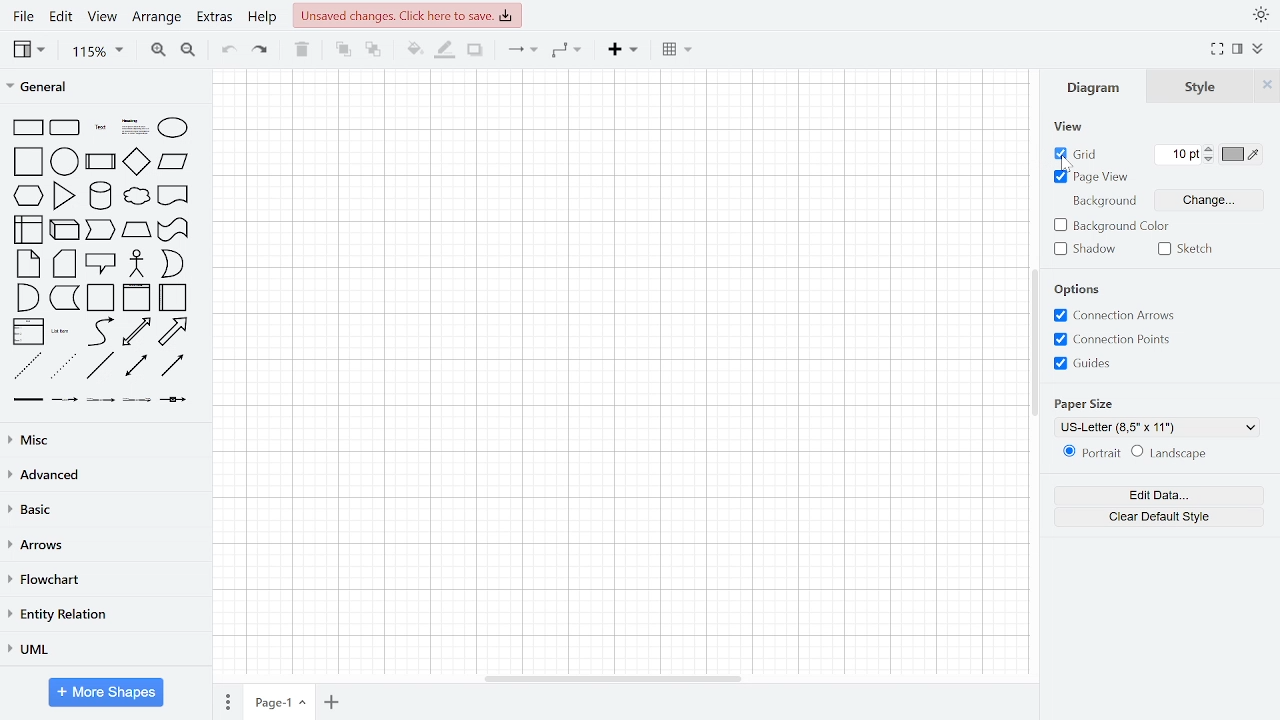  I want to click on triangle, so click(65, 195).